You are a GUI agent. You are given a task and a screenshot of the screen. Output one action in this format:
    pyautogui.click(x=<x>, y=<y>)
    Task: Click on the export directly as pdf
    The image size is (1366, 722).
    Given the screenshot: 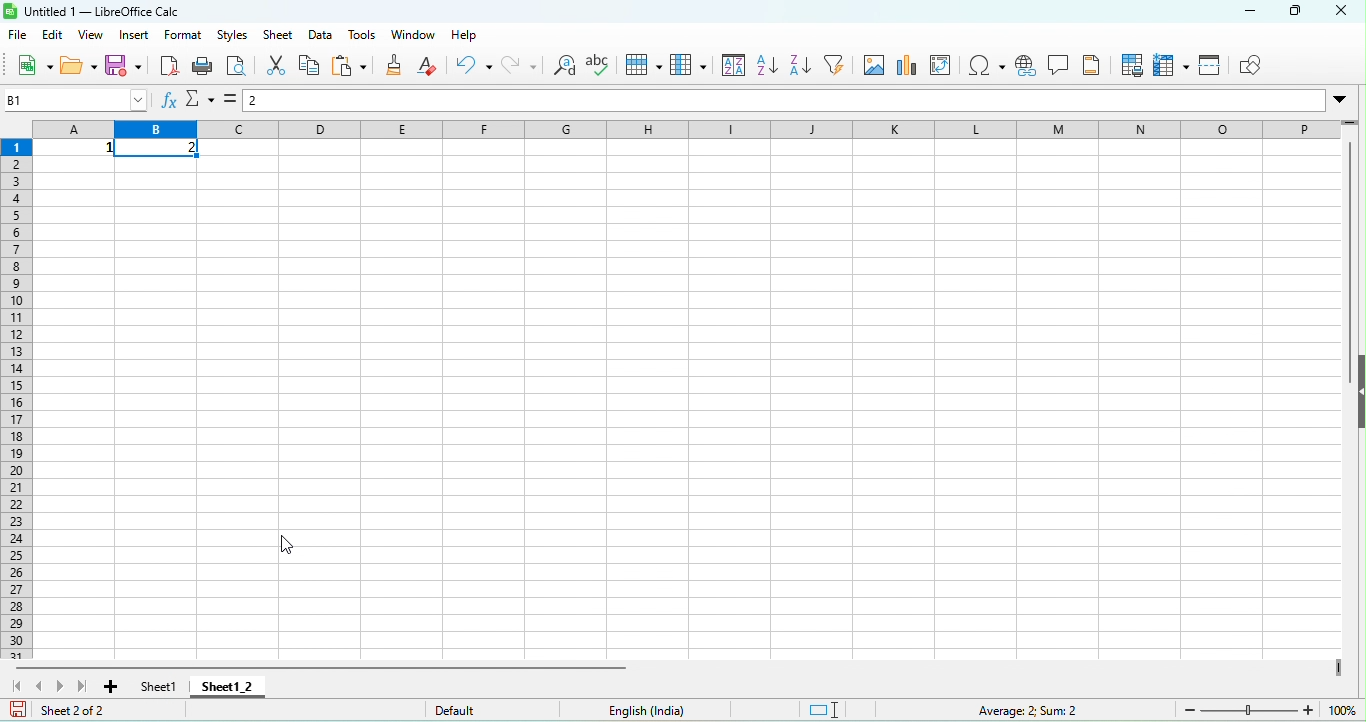 What is the action you would take?
    pyautogui.click(x=170, y=66)
    